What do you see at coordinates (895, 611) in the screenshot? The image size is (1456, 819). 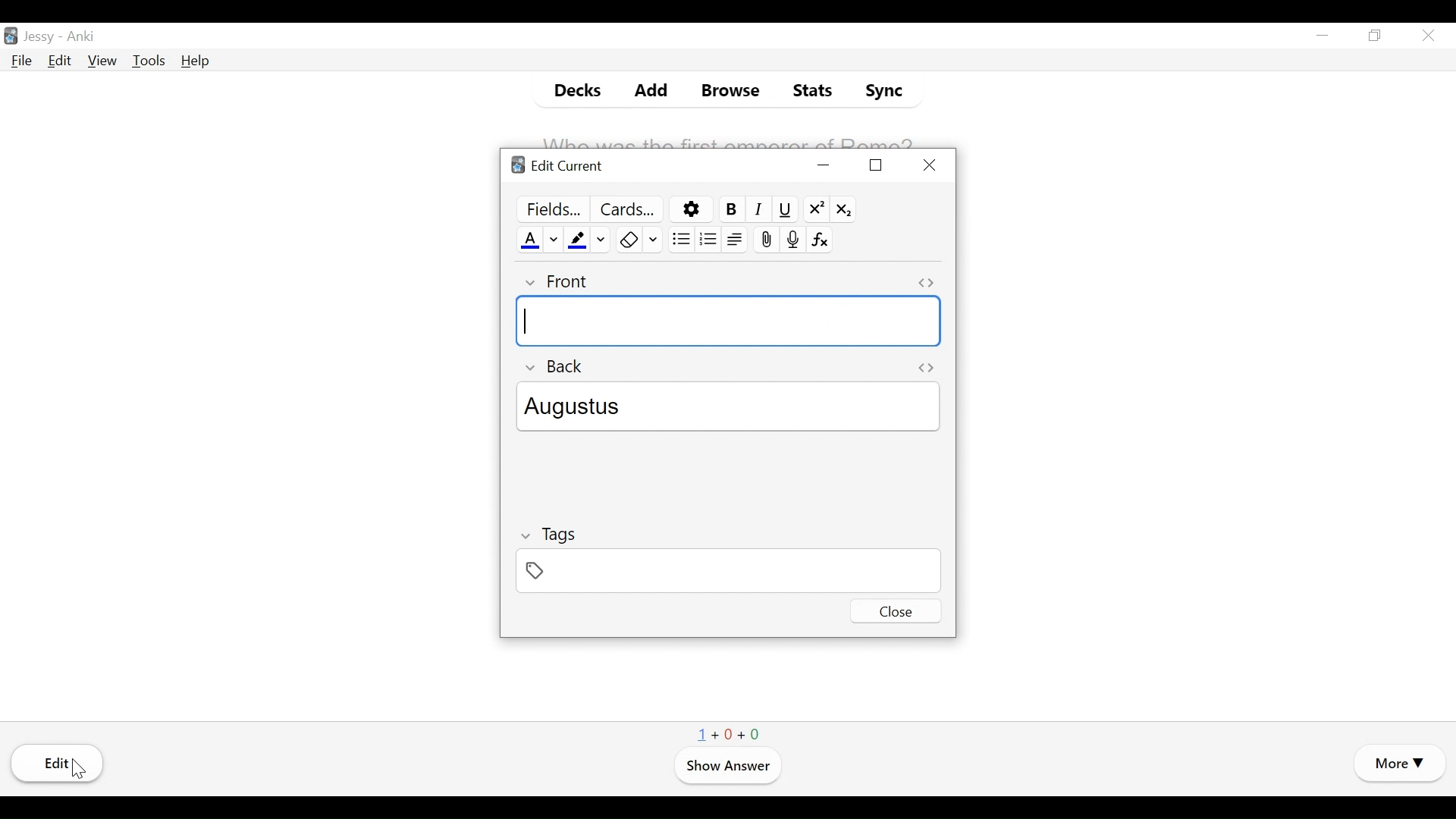 I see `Close` at bounding box center [895, 611].